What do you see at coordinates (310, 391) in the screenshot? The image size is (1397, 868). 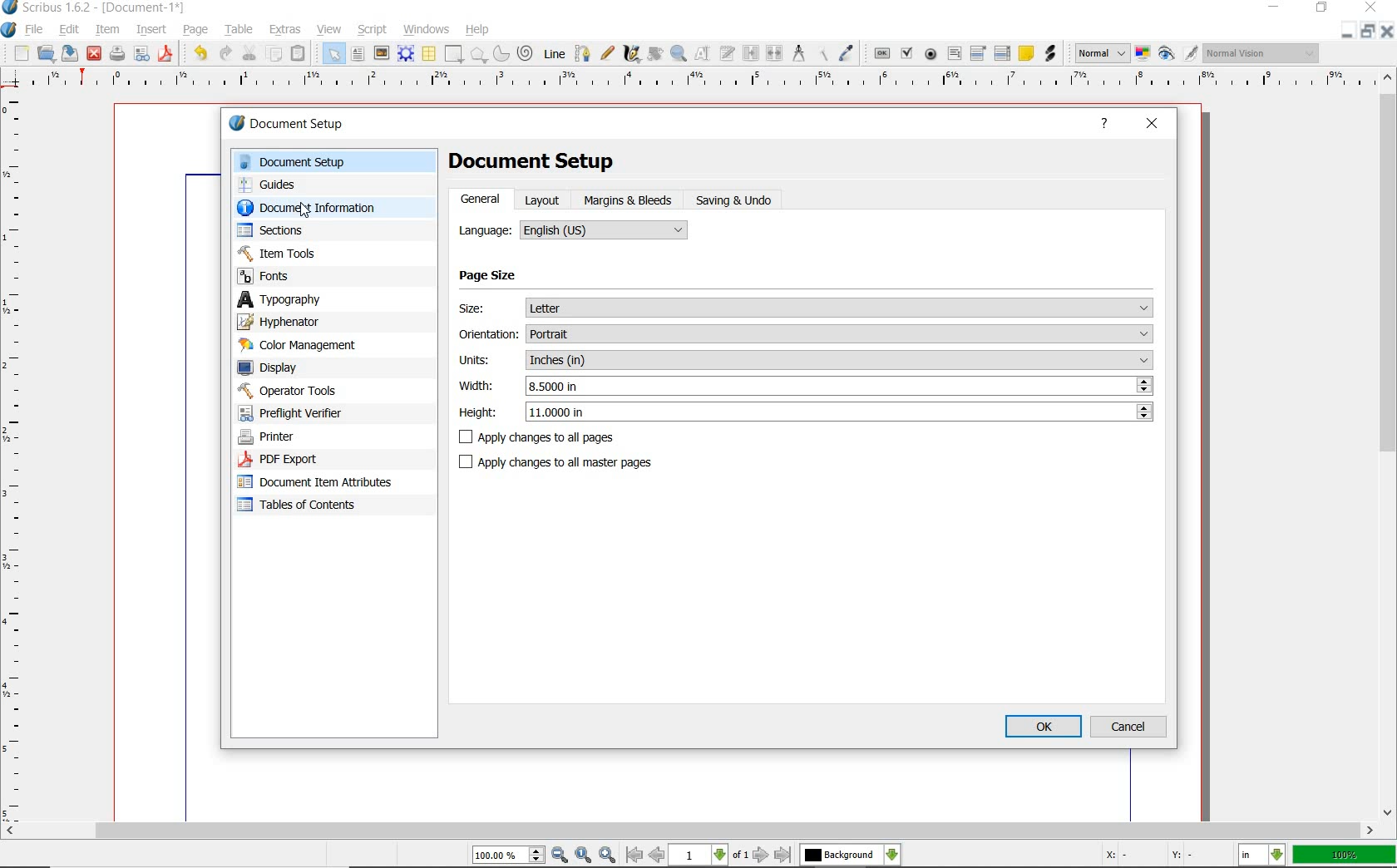 I see `operator tools` at bounding box center [310, 391].